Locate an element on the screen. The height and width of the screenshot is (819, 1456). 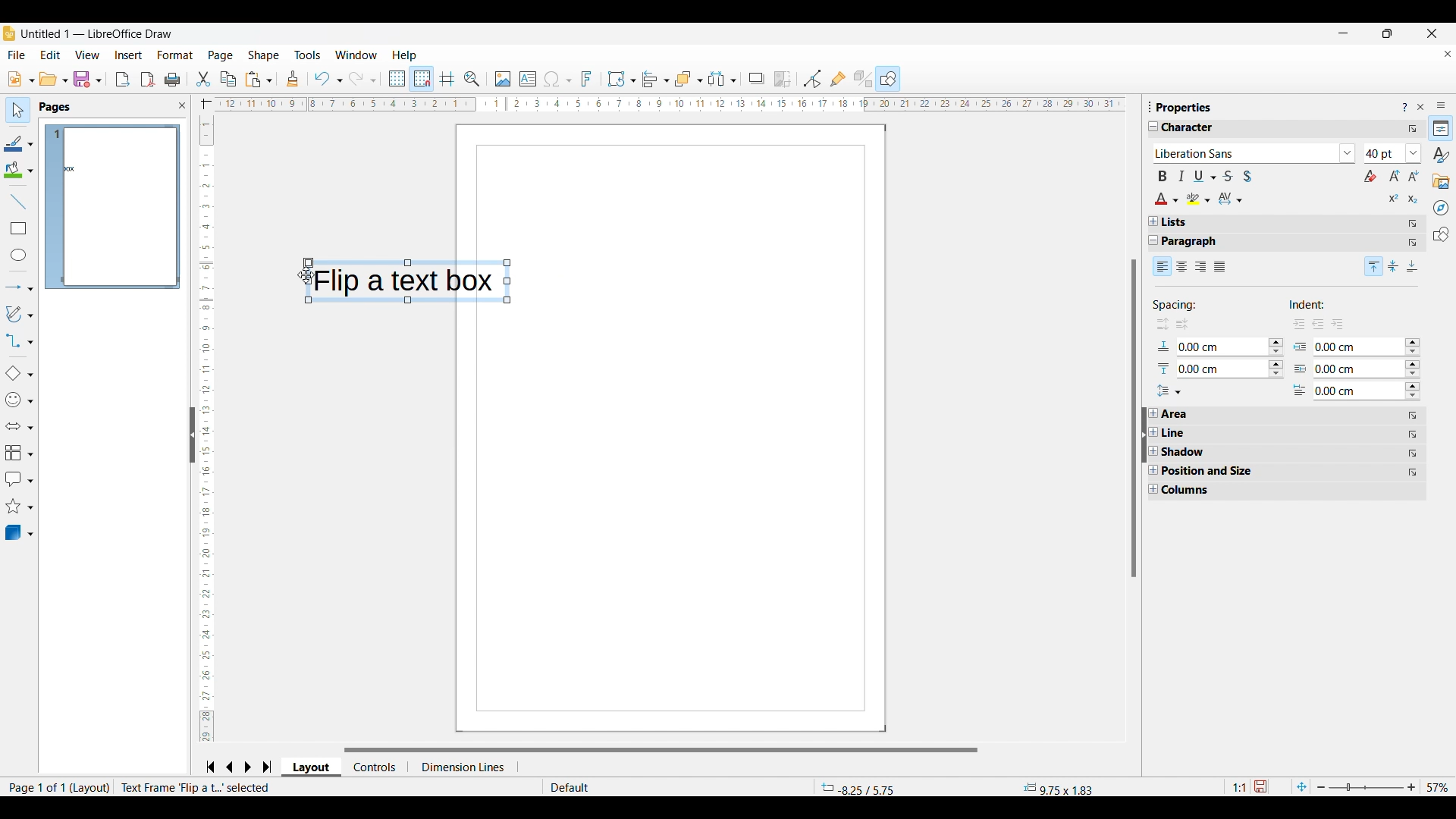
Center alignment is located at coordinates (1394, 266).